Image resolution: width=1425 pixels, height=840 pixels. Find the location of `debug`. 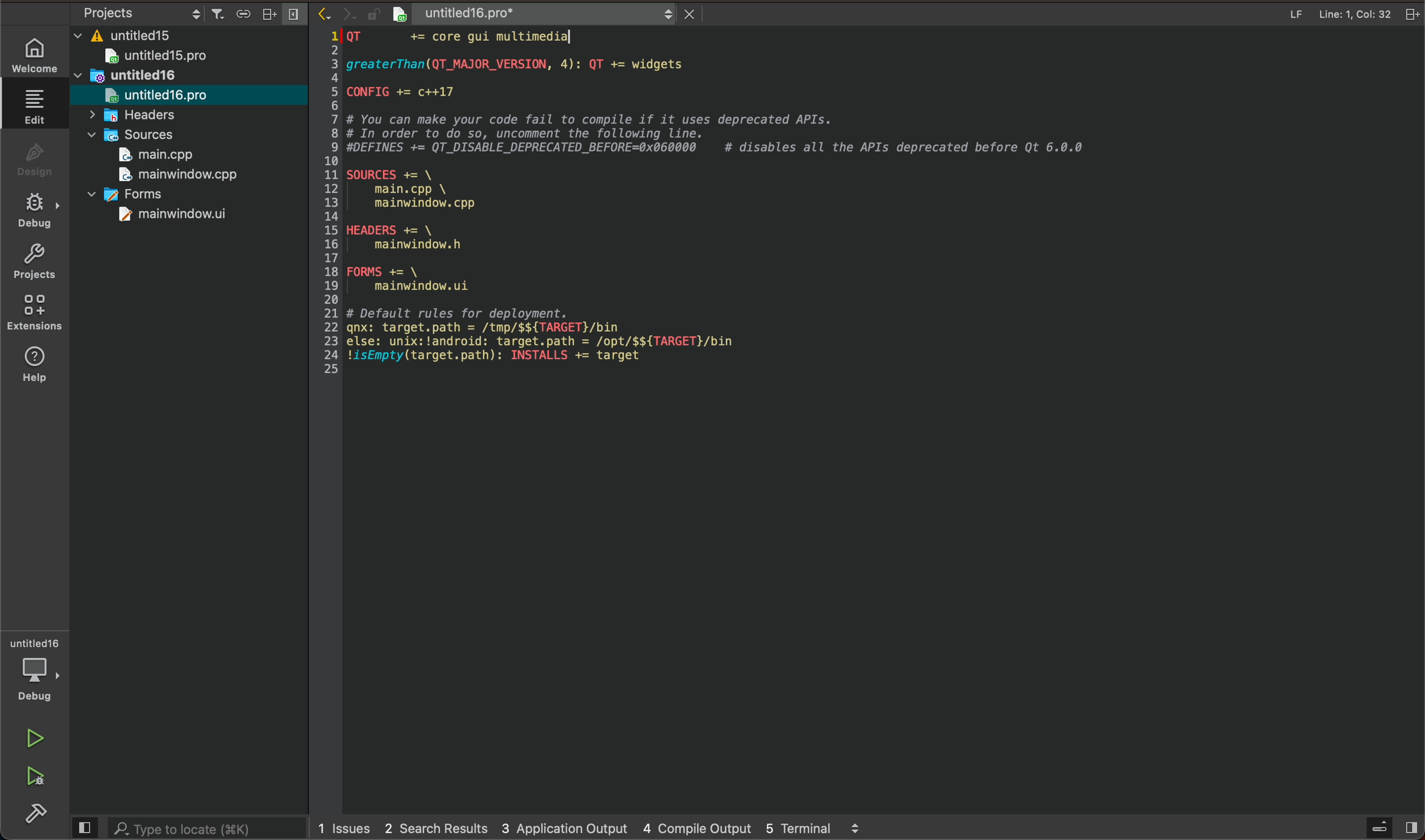

debug is located at coordinates (40, 212).